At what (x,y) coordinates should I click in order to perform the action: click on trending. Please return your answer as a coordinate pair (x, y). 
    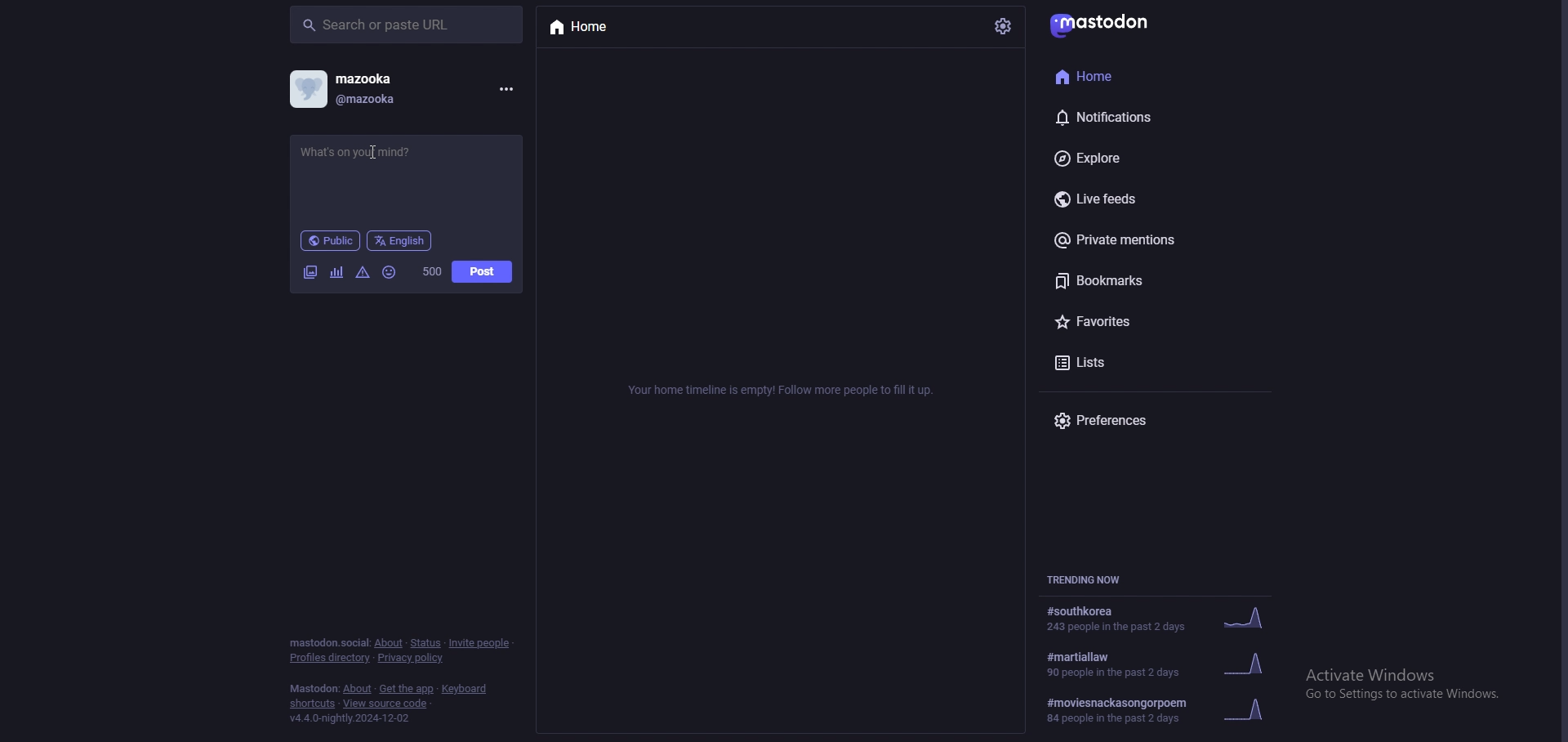
    Looking at the image, I should click on (1173, 708).